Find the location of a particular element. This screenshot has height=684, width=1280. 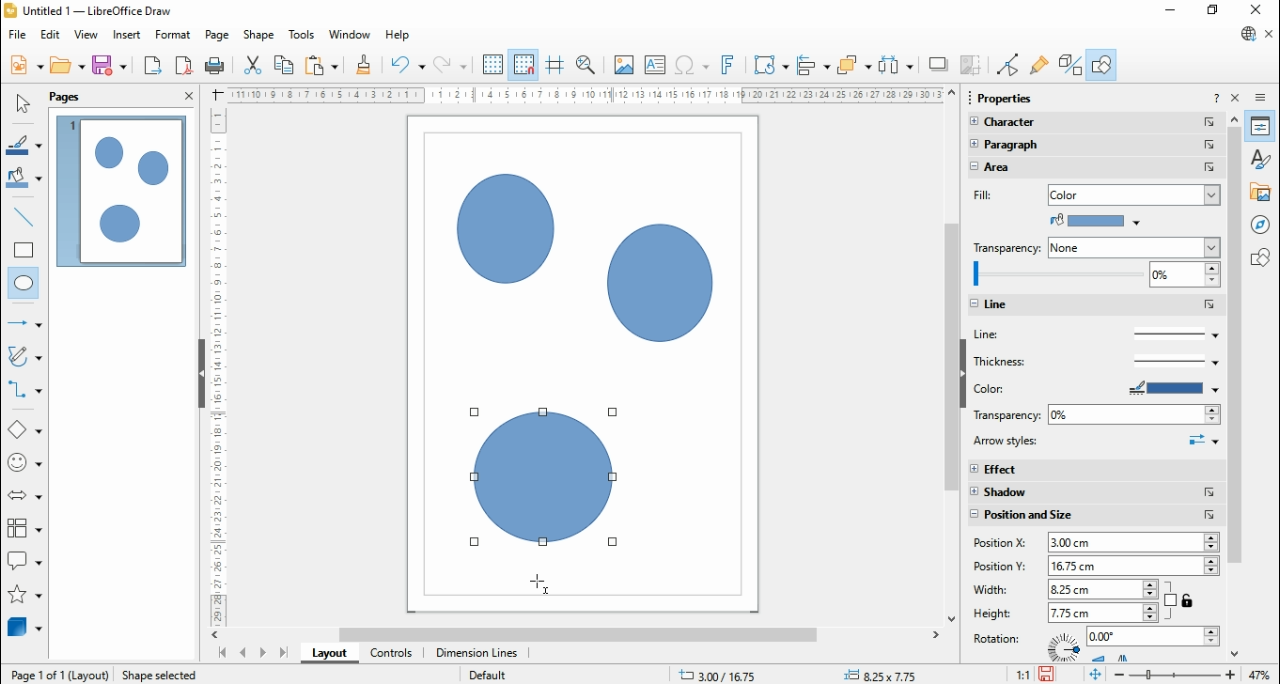

insert text box is located at coordinates (654, 64).